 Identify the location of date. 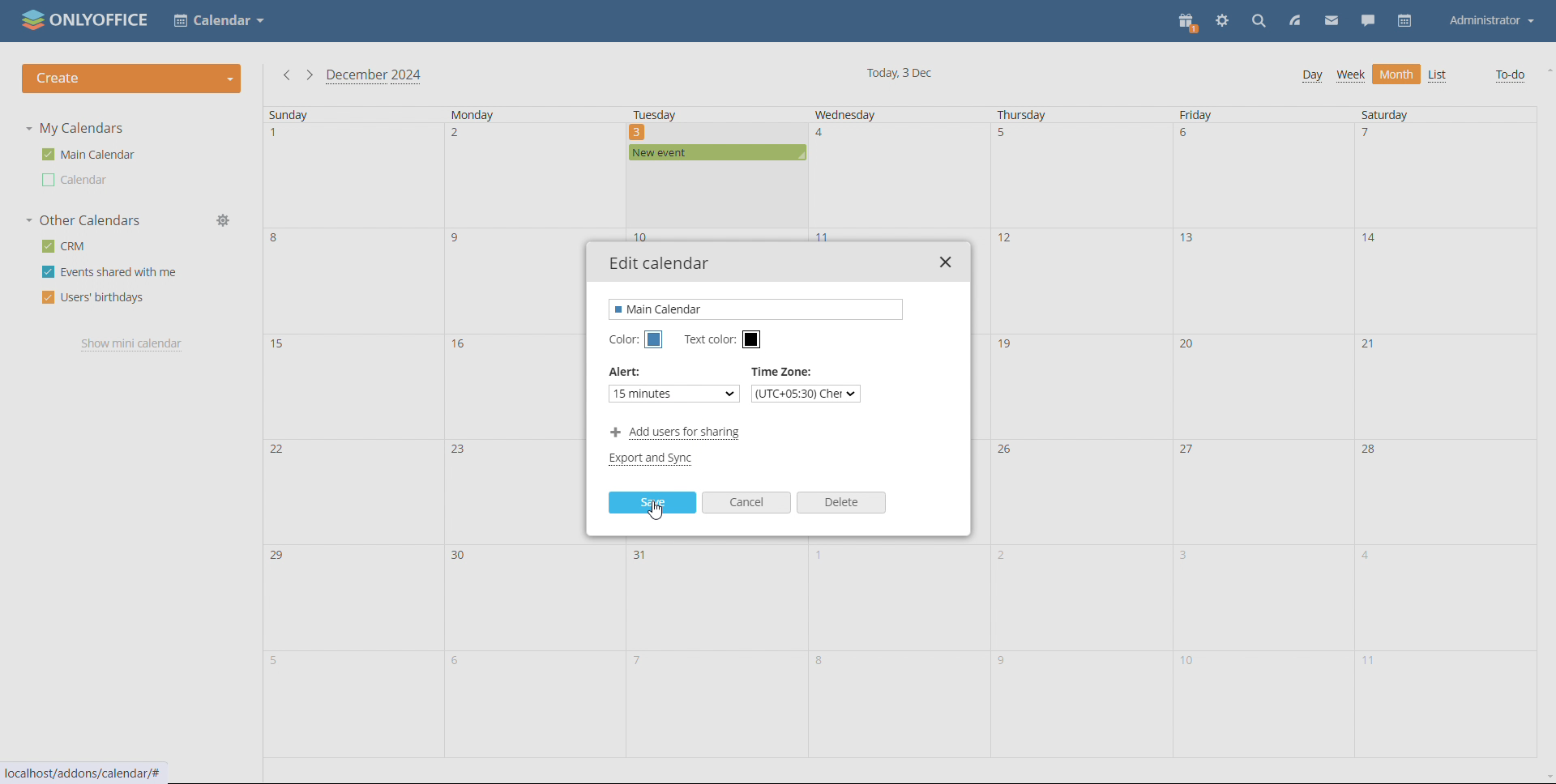
(353, 280).